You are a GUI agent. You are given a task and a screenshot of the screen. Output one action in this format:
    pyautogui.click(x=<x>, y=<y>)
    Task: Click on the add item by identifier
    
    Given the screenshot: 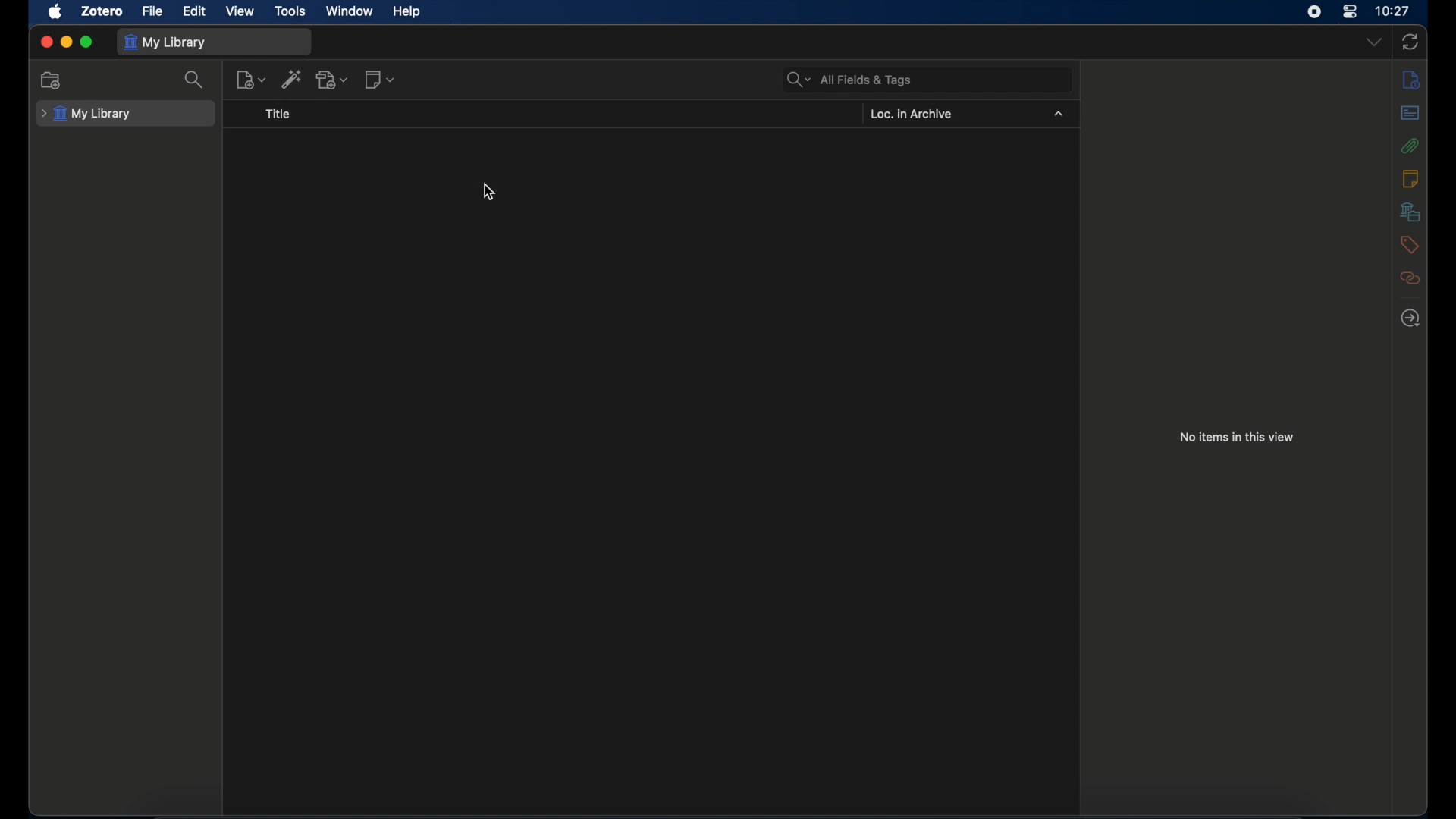 What is the action you would take?
    pyautogui.click(x=291, y=79)
    